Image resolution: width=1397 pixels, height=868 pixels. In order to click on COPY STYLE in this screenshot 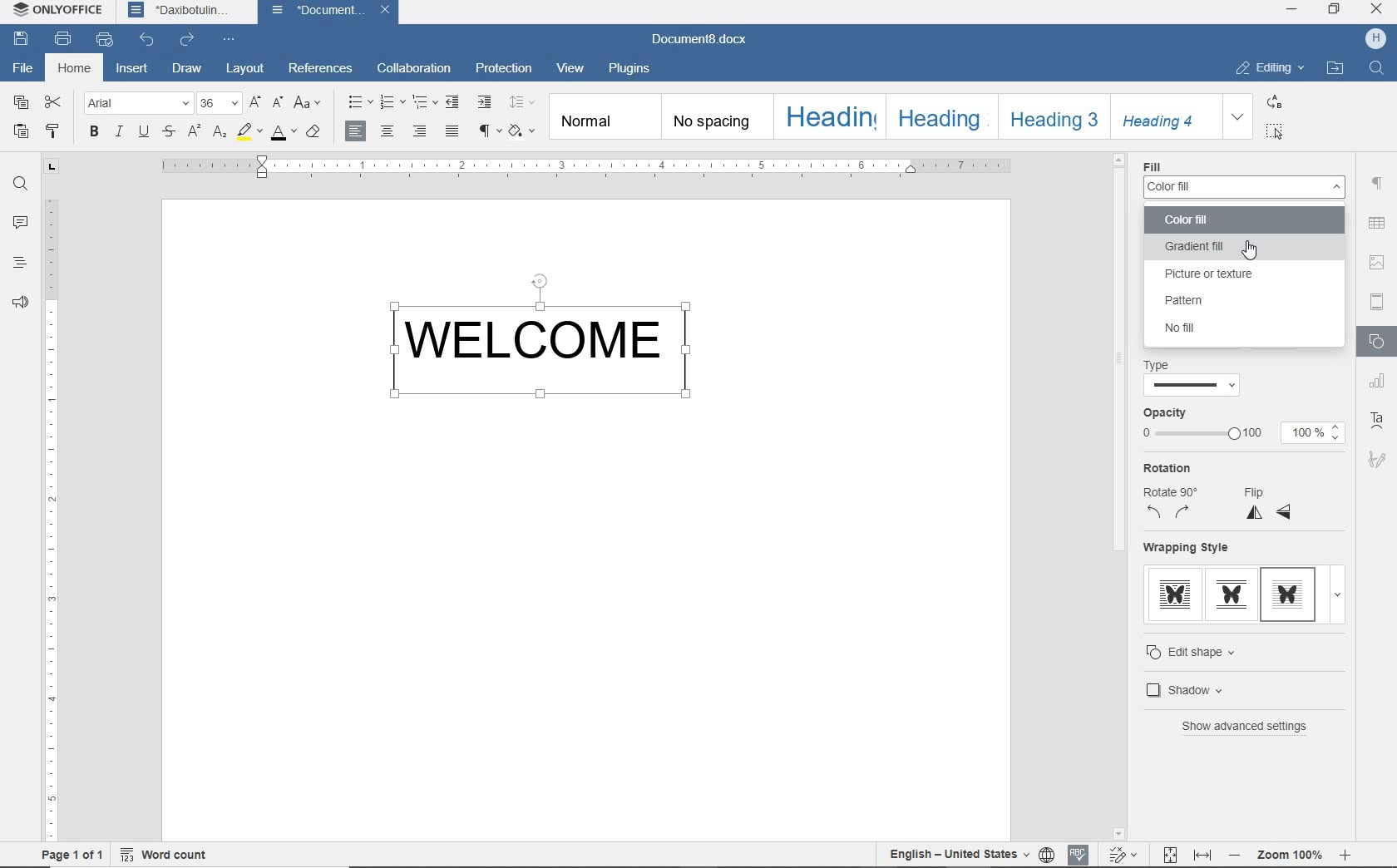, I will do `click(55, 130)`.